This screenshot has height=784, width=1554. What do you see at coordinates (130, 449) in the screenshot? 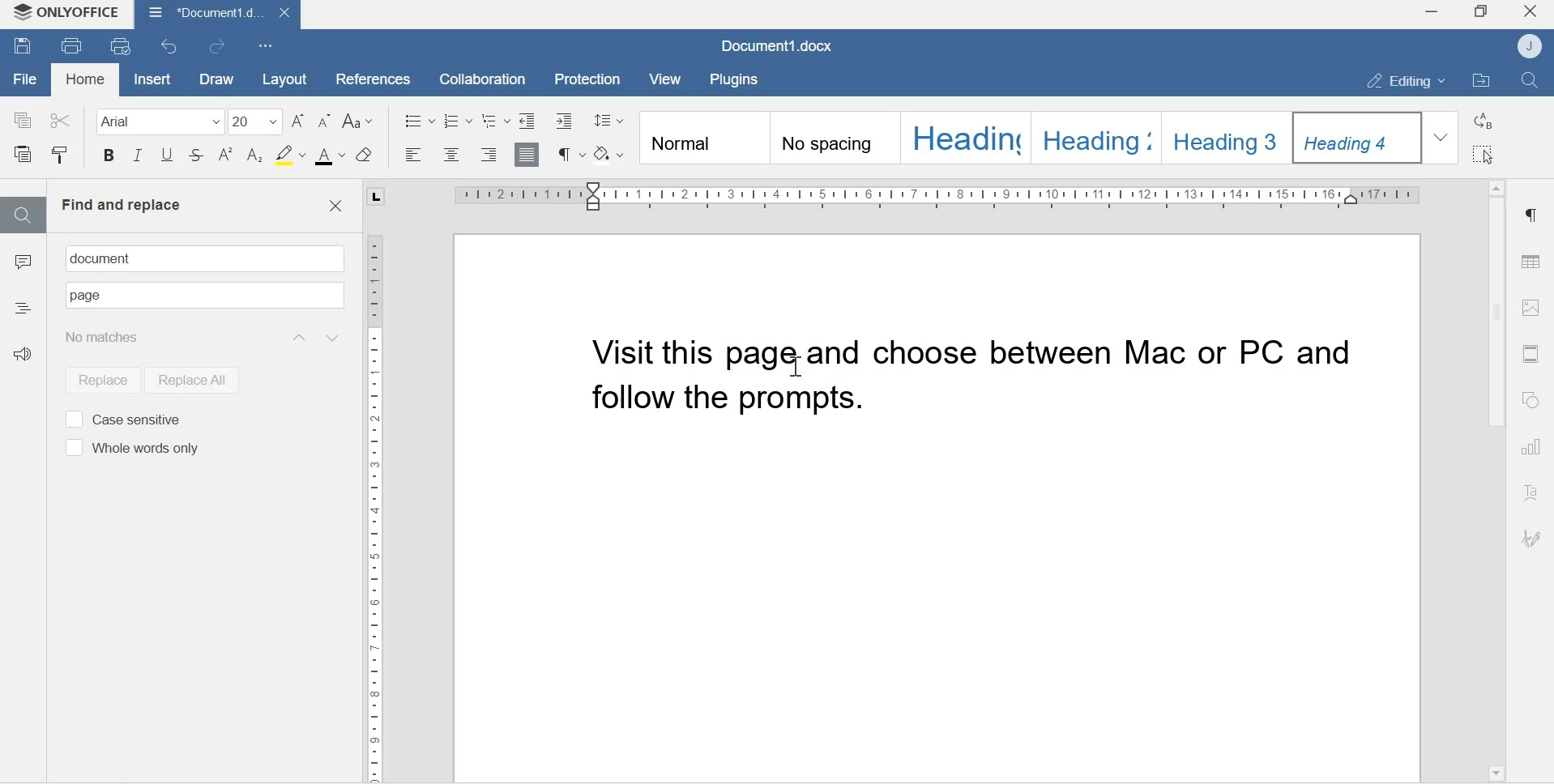
I see `Whole words only` at bounding box center [130, 449].